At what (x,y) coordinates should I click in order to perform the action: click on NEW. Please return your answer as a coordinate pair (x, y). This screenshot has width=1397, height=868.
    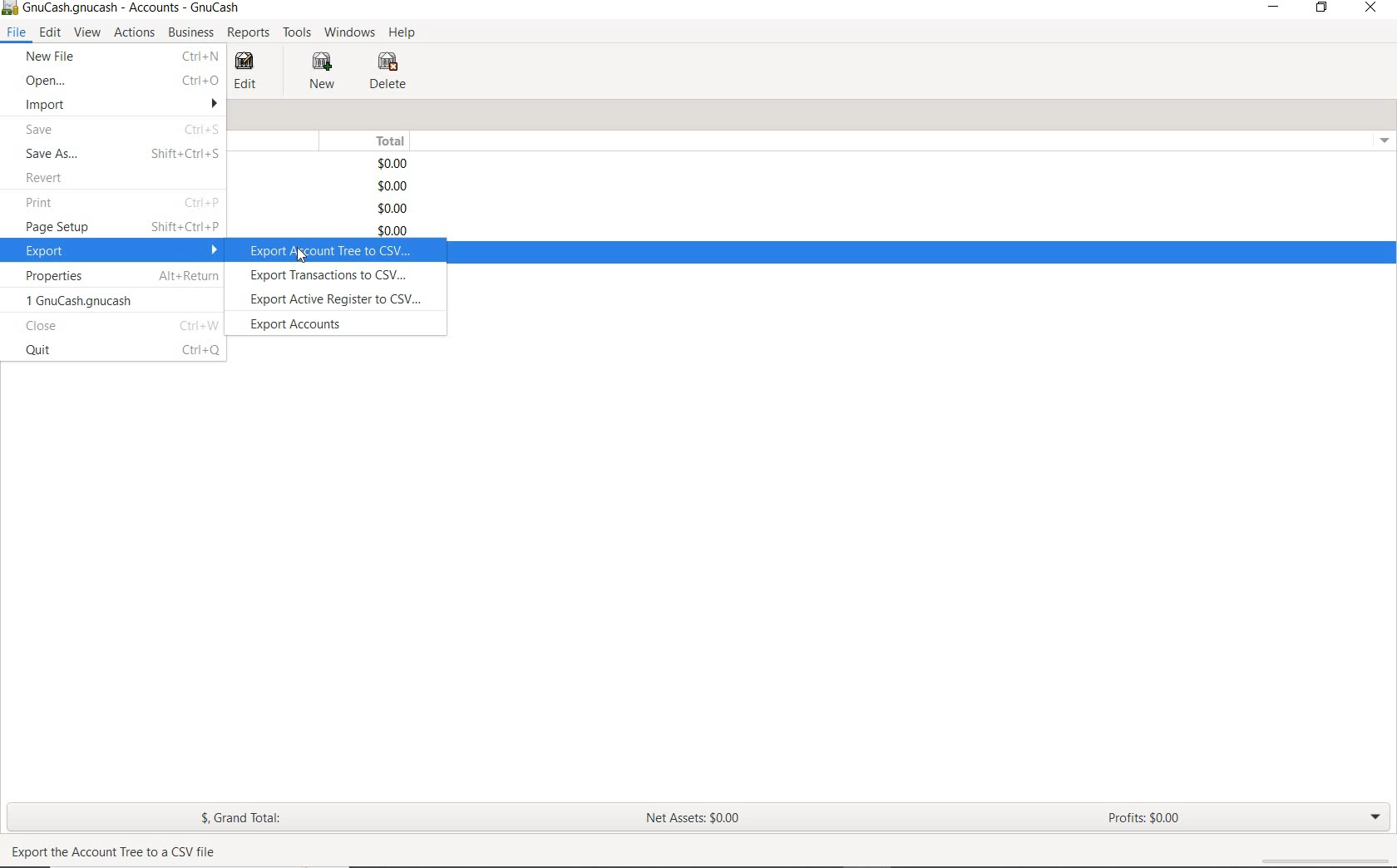
    Looking at the image, I should click on (321, 74).